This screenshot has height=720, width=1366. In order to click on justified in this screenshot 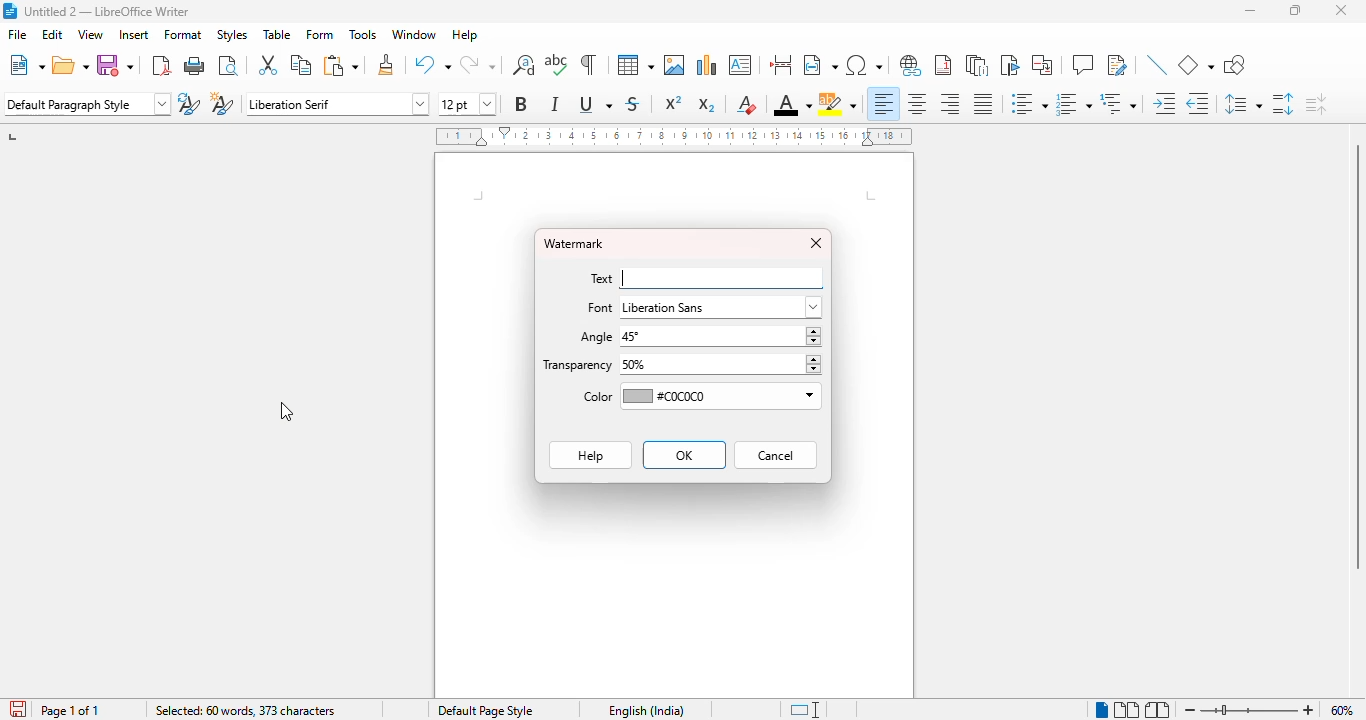, I will do `click(982, 104)`.